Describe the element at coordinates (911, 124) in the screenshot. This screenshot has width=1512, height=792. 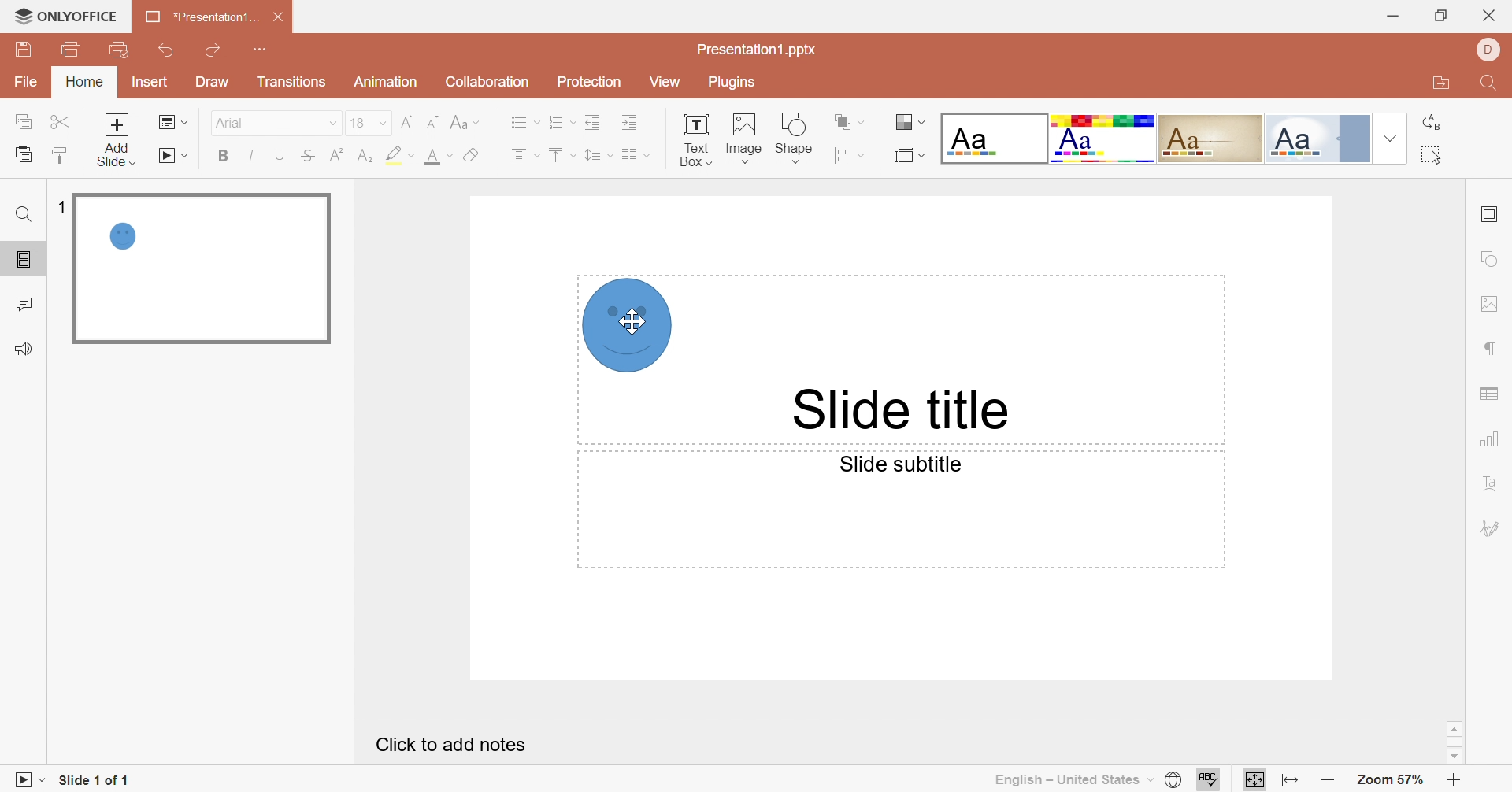
I see `Change color settings` at that location.